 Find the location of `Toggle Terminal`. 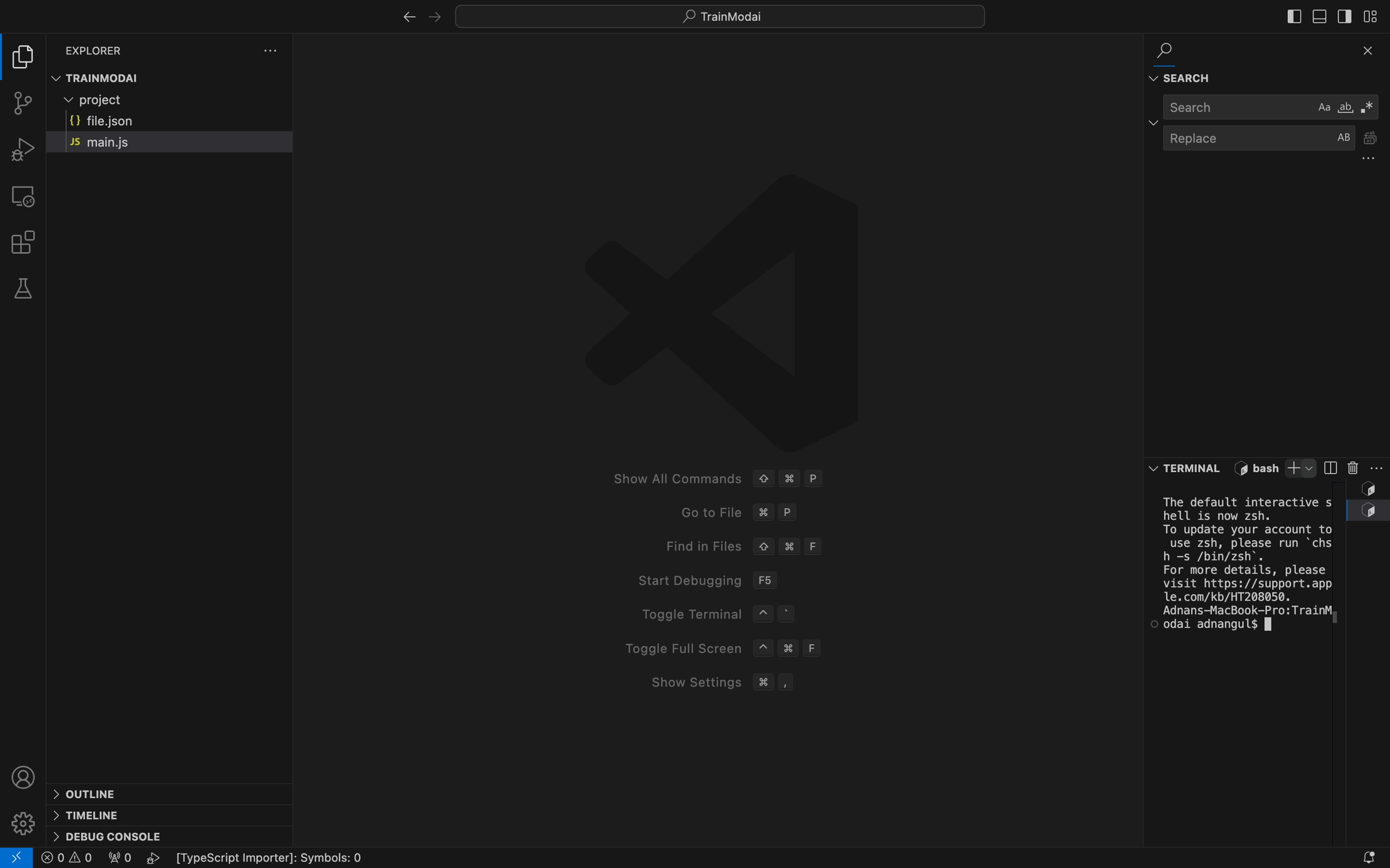

Toggle Terminal is located at coordinates (789, 613).